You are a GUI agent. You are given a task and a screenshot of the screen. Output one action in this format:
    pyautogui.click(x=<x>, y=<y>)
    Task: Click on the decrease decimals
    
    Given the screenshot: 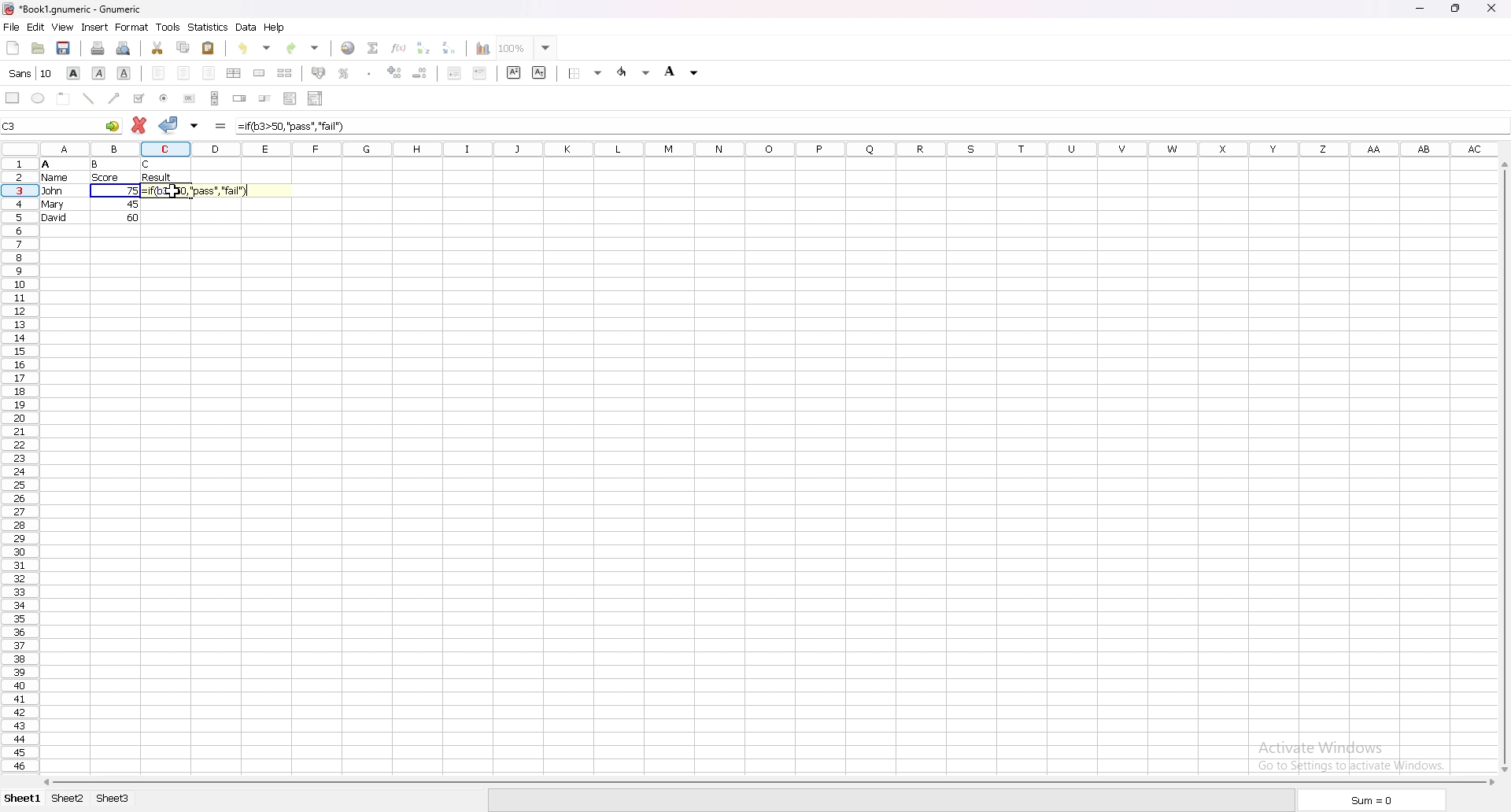 What is the action you would take?
    pyautogui.click(x=421, y=73)
    